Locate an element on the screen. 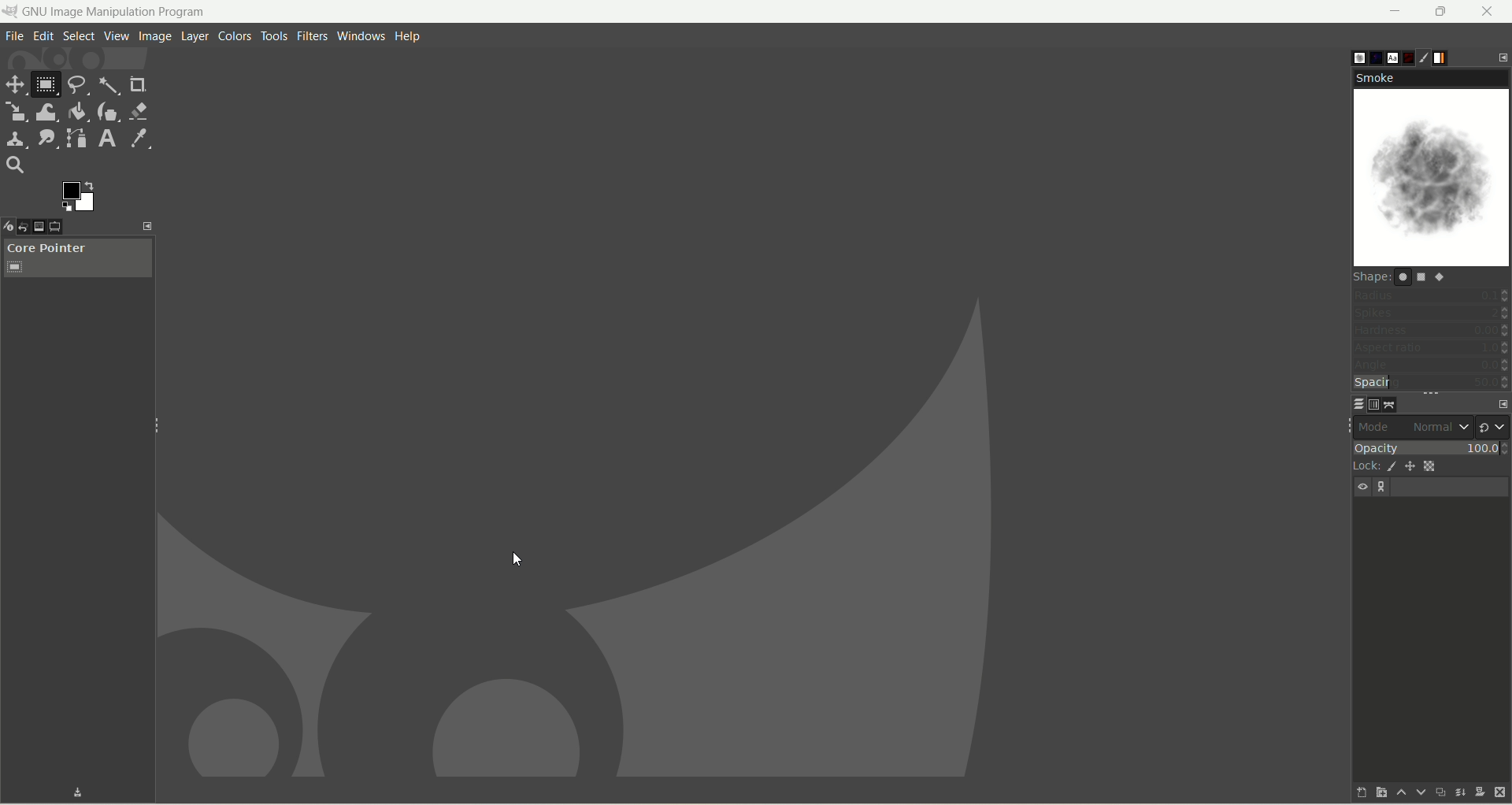 This screenshot has height=805, width=1512. configure this tab is located at coordinates (1499, 402).